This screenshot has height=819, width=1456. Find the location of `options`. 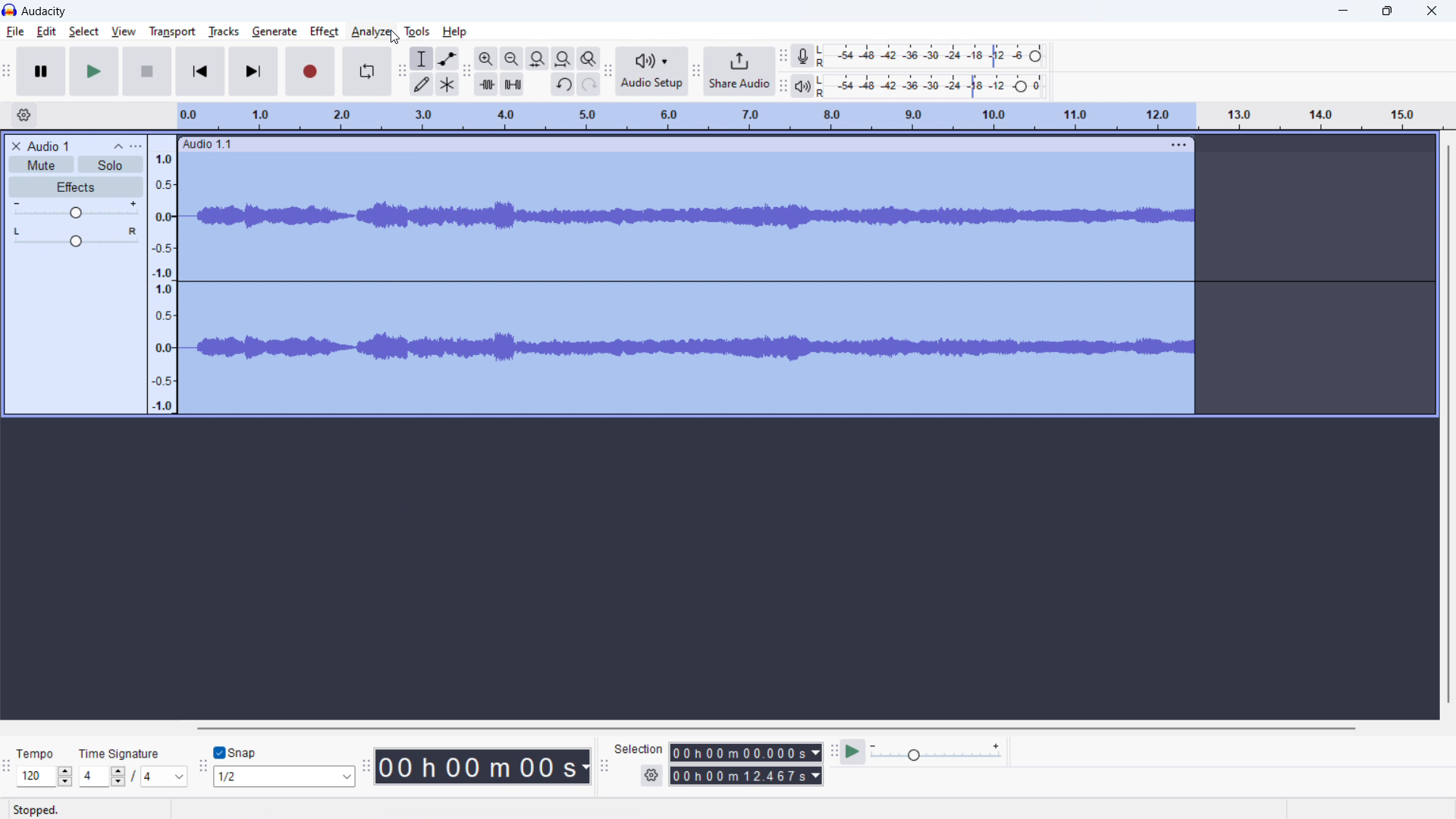

options is located at coordinates (136, 146).